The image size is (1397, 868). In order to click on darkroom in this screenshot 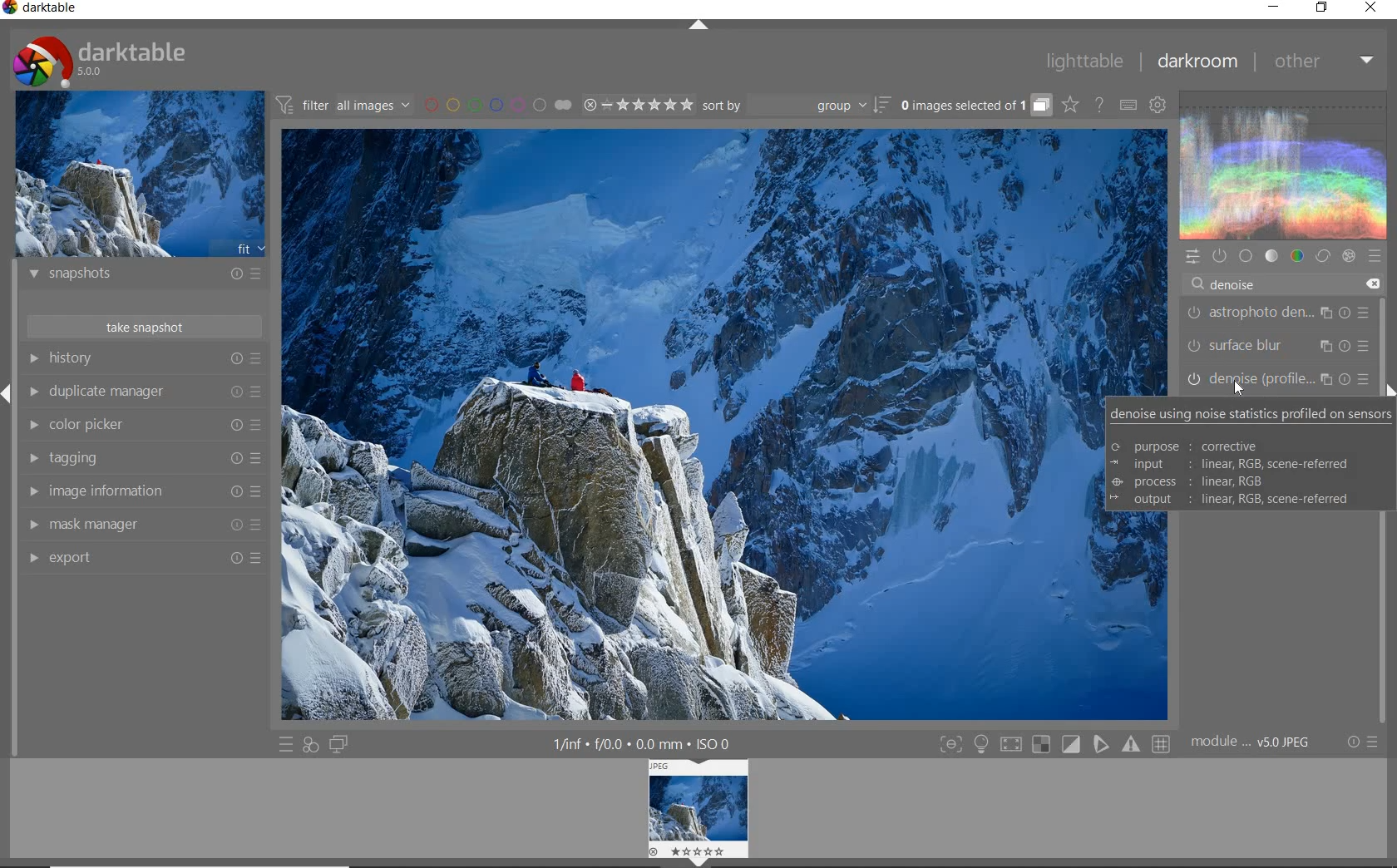, I will do `click(1197, 62)`.